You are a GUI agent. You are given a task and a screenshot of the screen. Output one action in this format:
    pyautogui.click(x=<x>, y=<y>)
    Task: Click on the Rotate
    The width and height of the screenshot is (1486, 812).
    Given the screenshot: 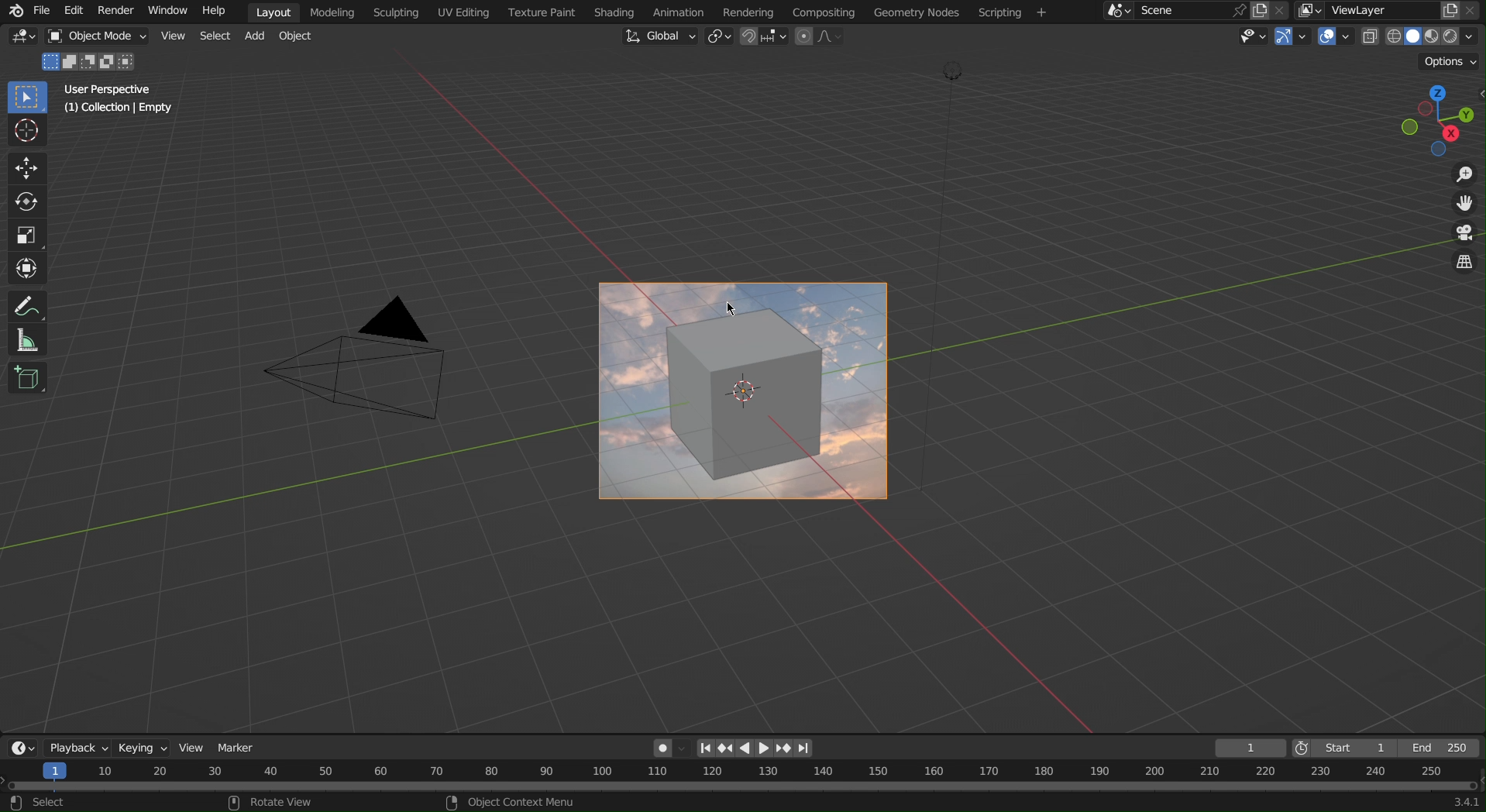 What is the action you would take?
    pyautogui.click(x=24, y=201)
    